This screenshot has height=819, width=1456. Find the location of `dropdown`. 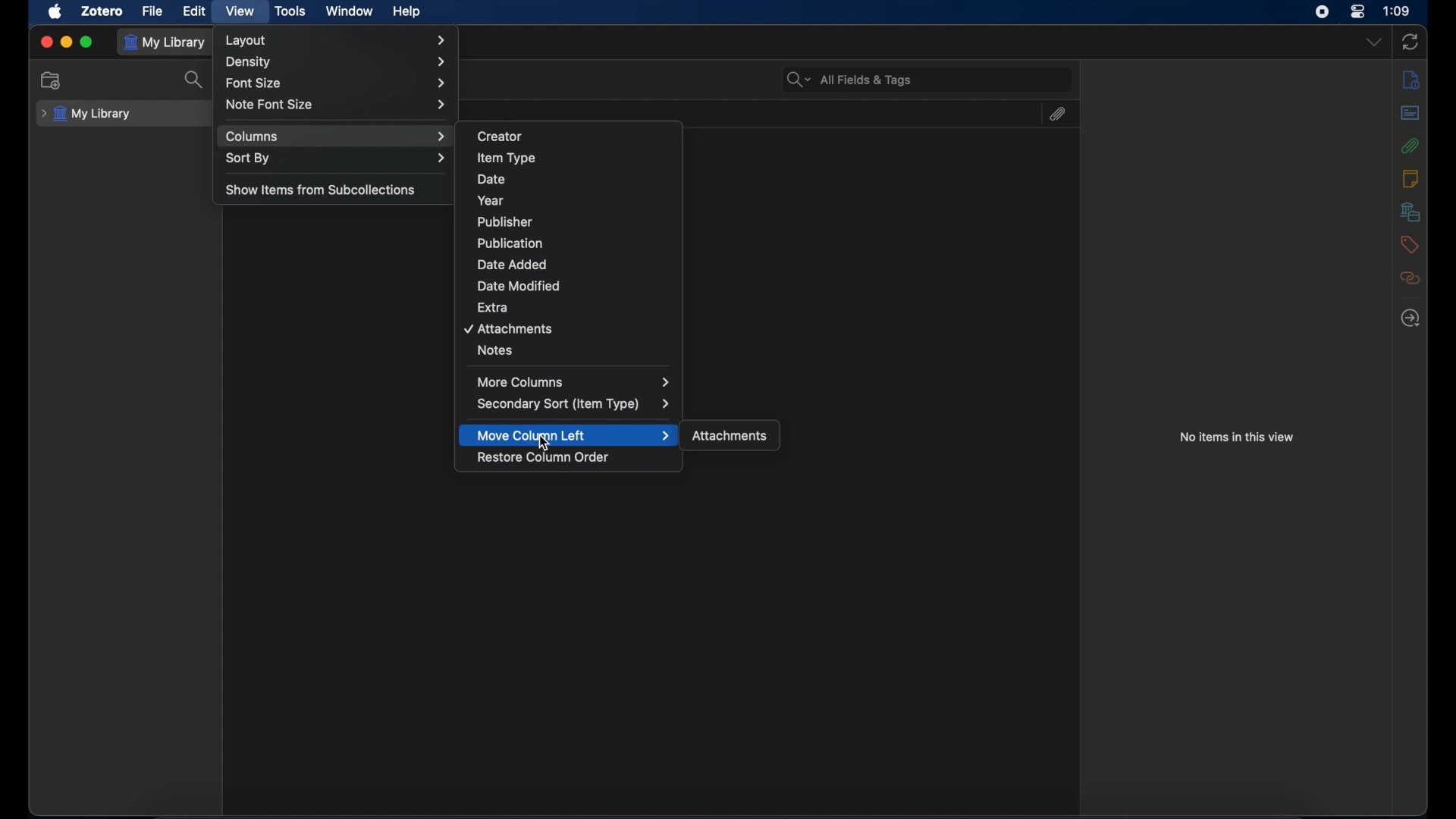

dropdown is located at coordinates (1373, 42).